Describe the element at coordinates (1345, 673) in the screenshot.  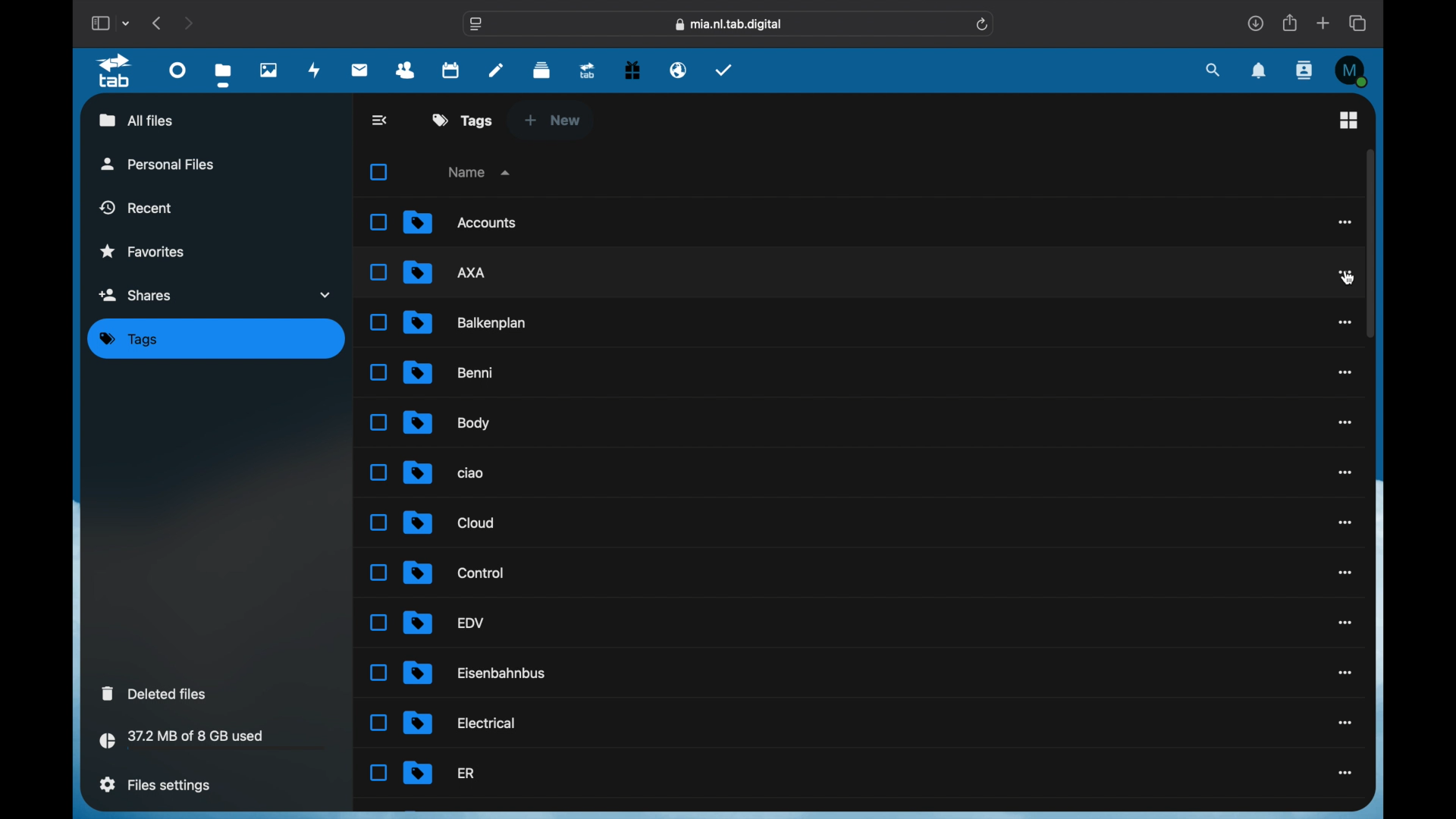
I see `more options` at that location.